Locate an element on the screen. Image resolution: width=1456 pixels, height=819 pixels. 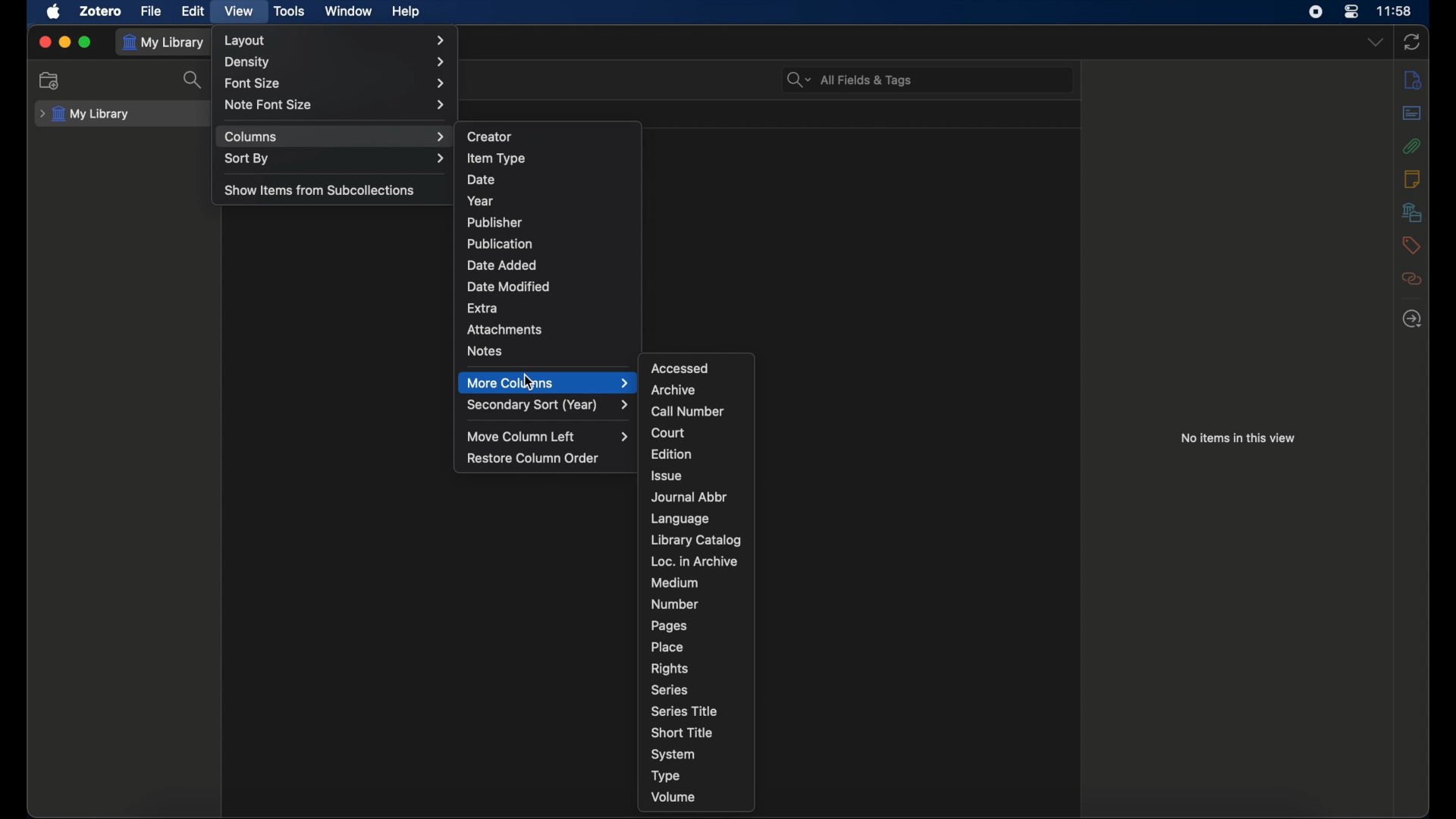
sync is located at coordinates (1412, 43).